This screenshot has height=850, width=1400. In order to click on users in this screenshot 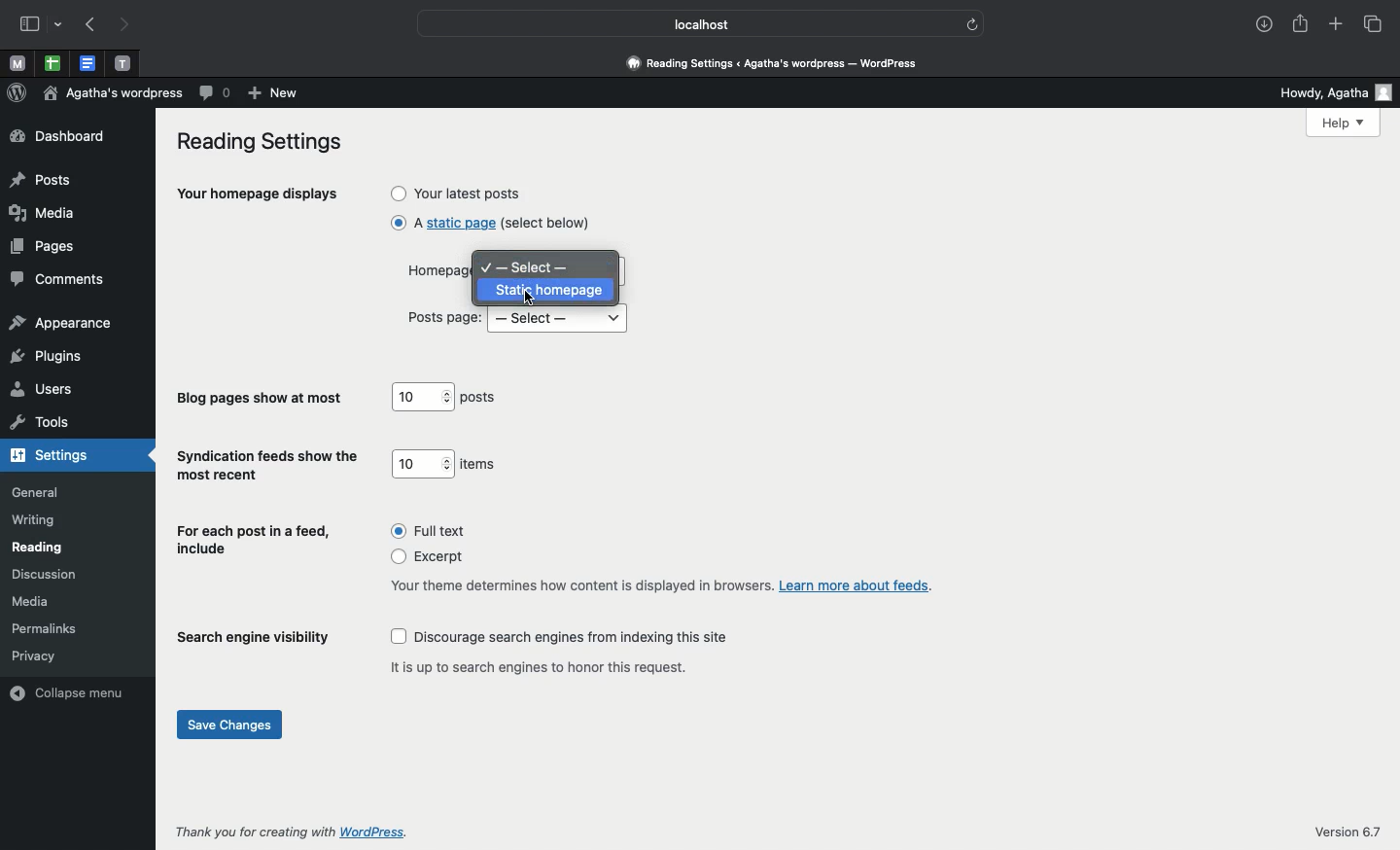, I will do `click(43, 391)`.